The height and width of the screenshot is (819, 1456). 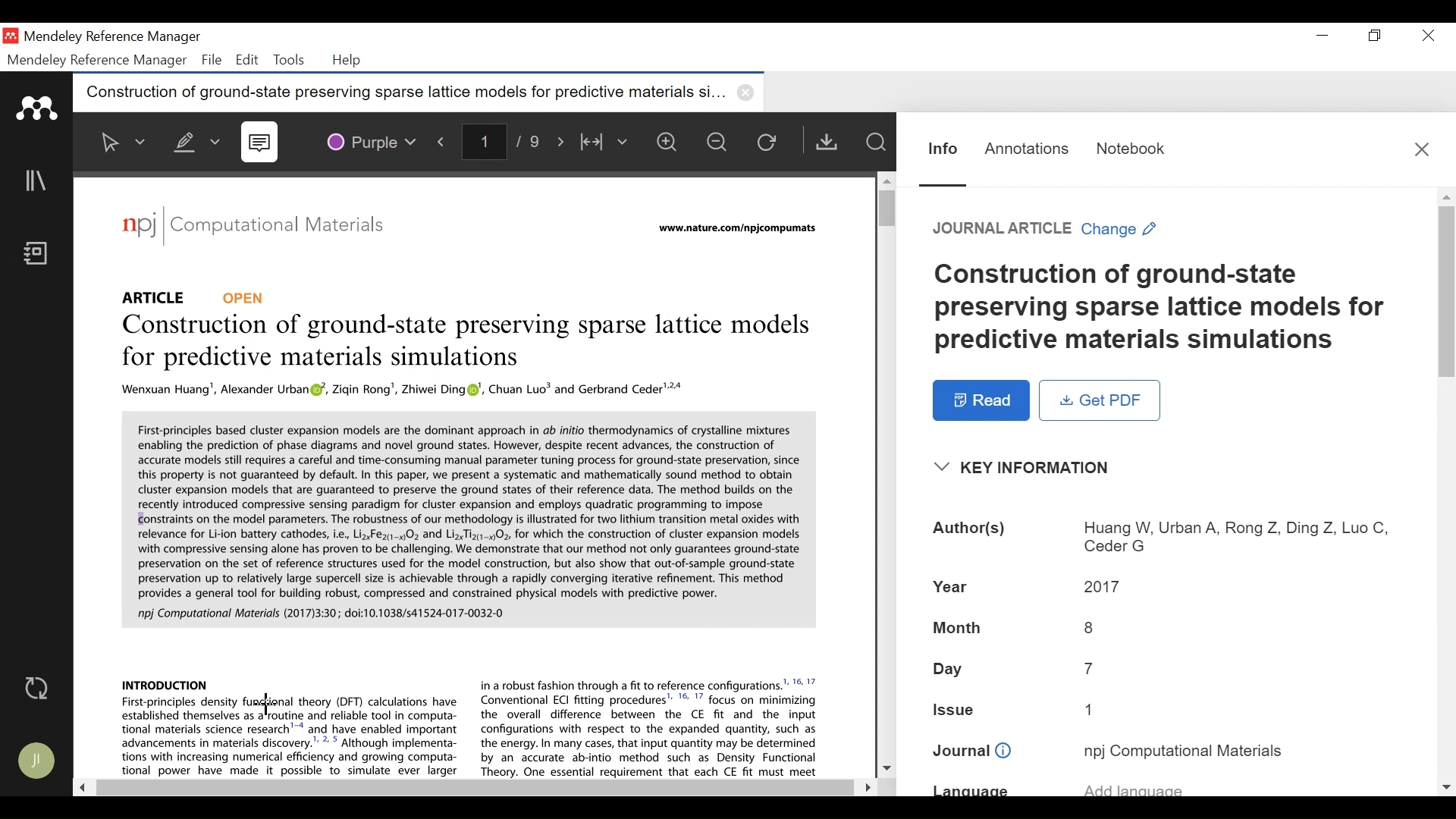 I want to click on Month, so click(x=1163, y=627).